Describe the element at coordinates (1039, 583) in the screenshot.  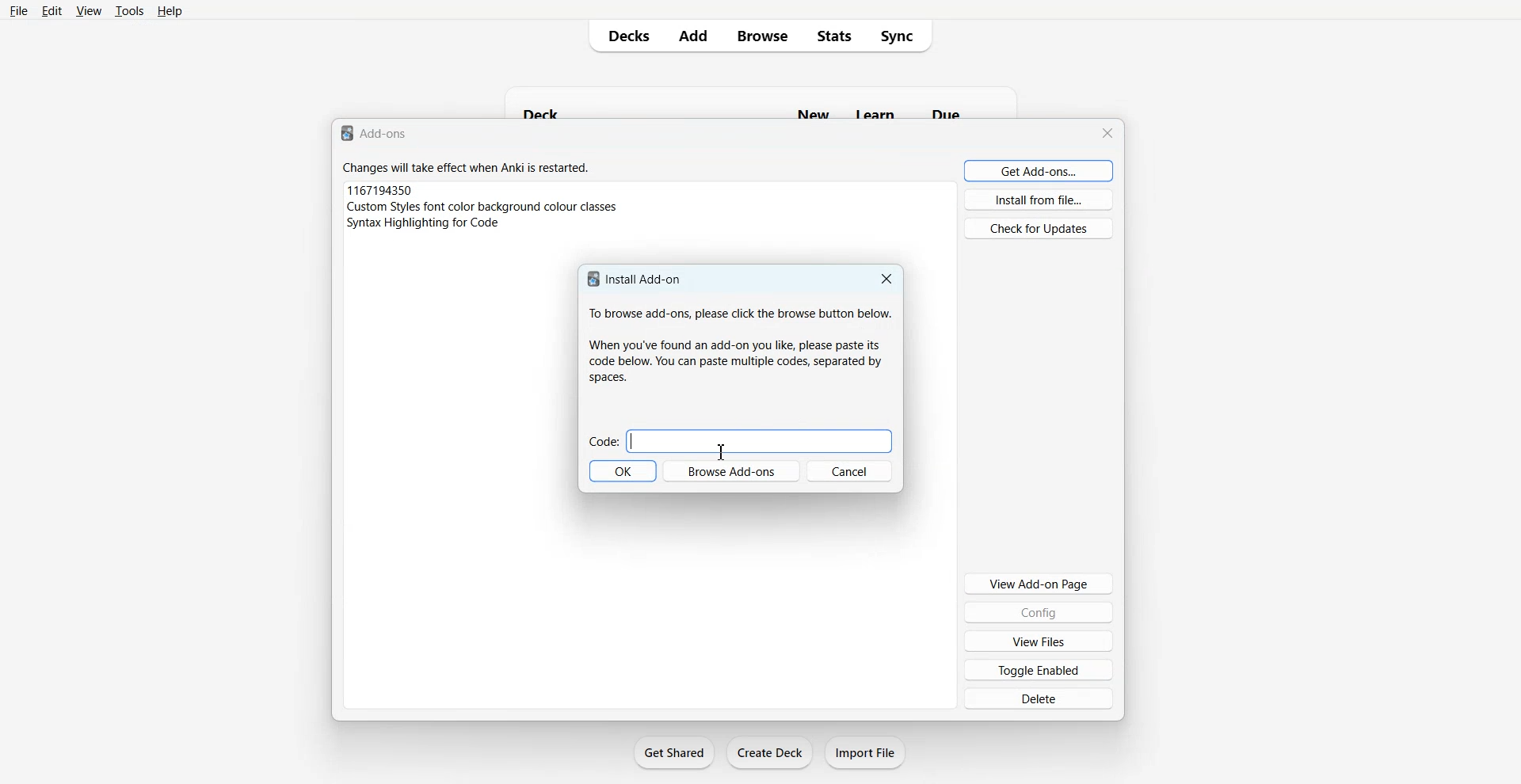
I see `View Add-on Page` at that location.